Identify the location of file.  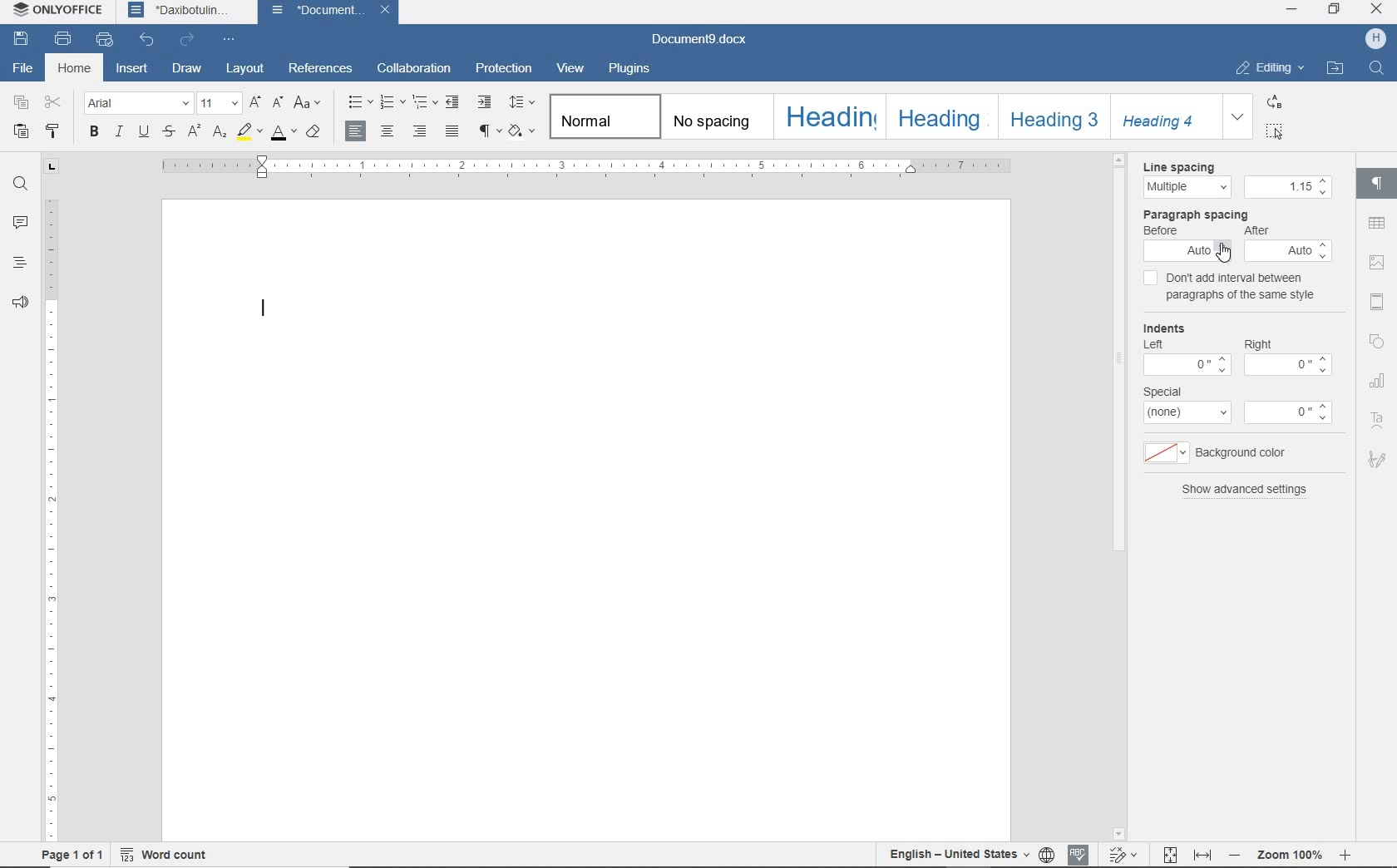
(24, 72).